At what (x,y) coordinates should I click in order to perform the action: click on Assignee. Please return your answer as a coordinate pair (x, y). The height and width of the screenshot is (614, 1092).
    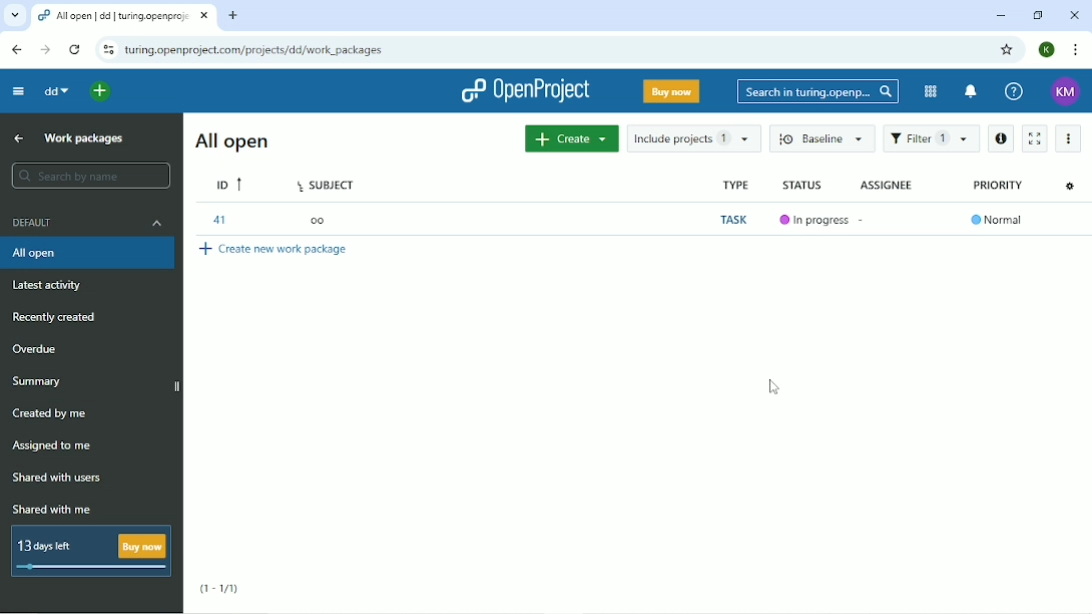
    Looking at the image, I should click on (883, 186).